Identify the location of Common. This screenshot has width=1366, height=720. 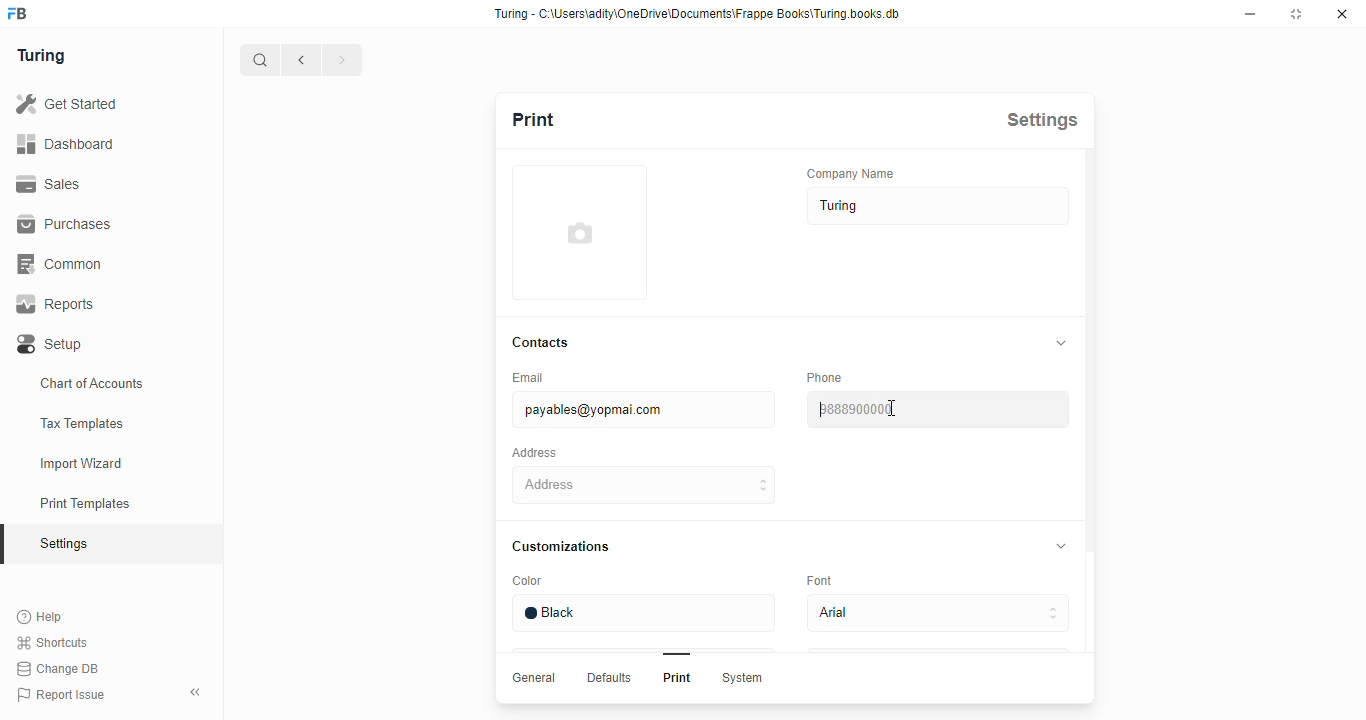
(108, 262).